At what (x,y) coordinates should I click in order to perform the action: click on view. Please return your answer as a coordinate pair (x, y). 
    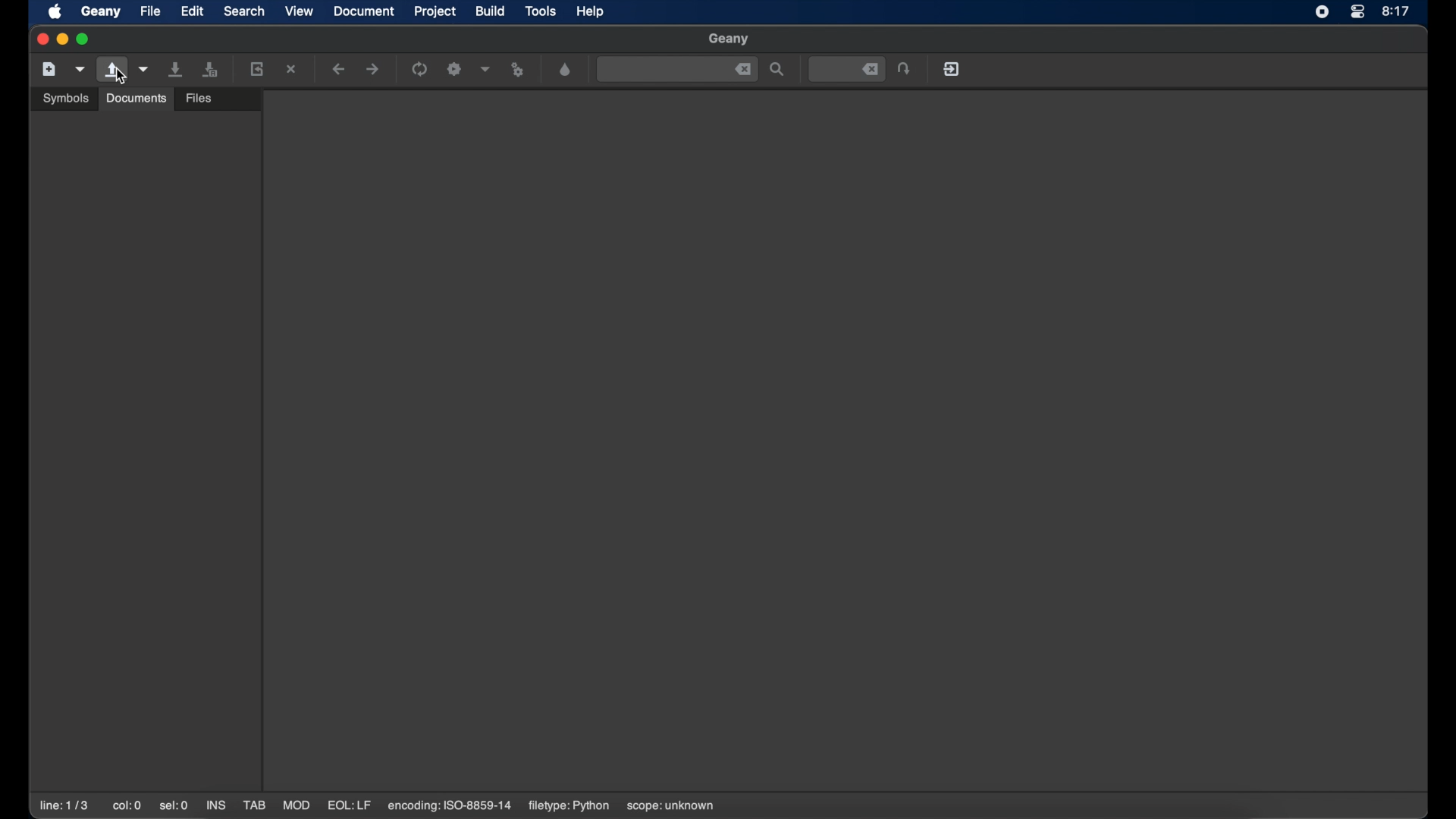
    Looking at the image, I should click on (299, 11).